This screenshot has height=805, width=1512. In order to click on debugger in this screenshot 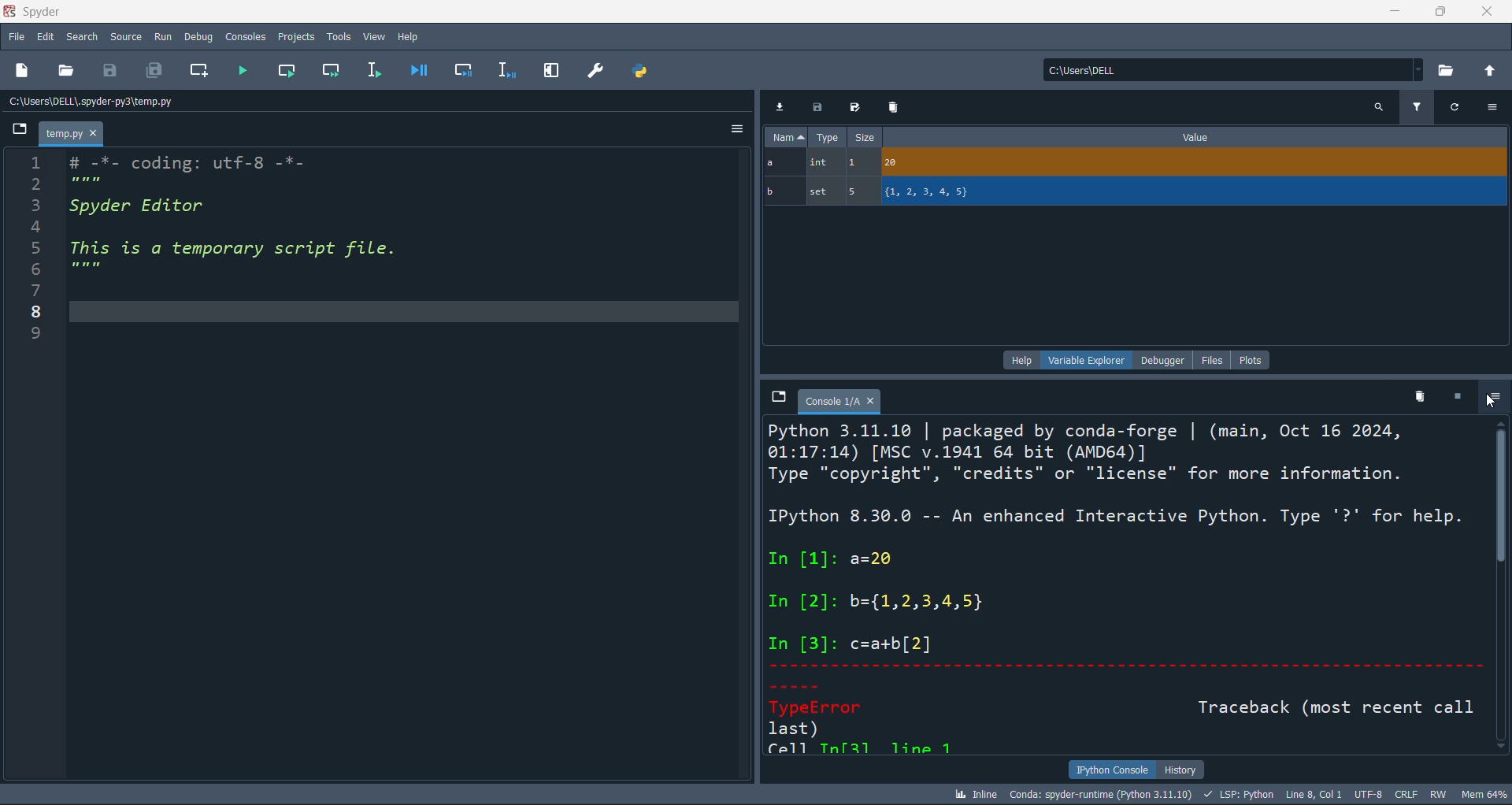, I will do `click(1165, 359)`.